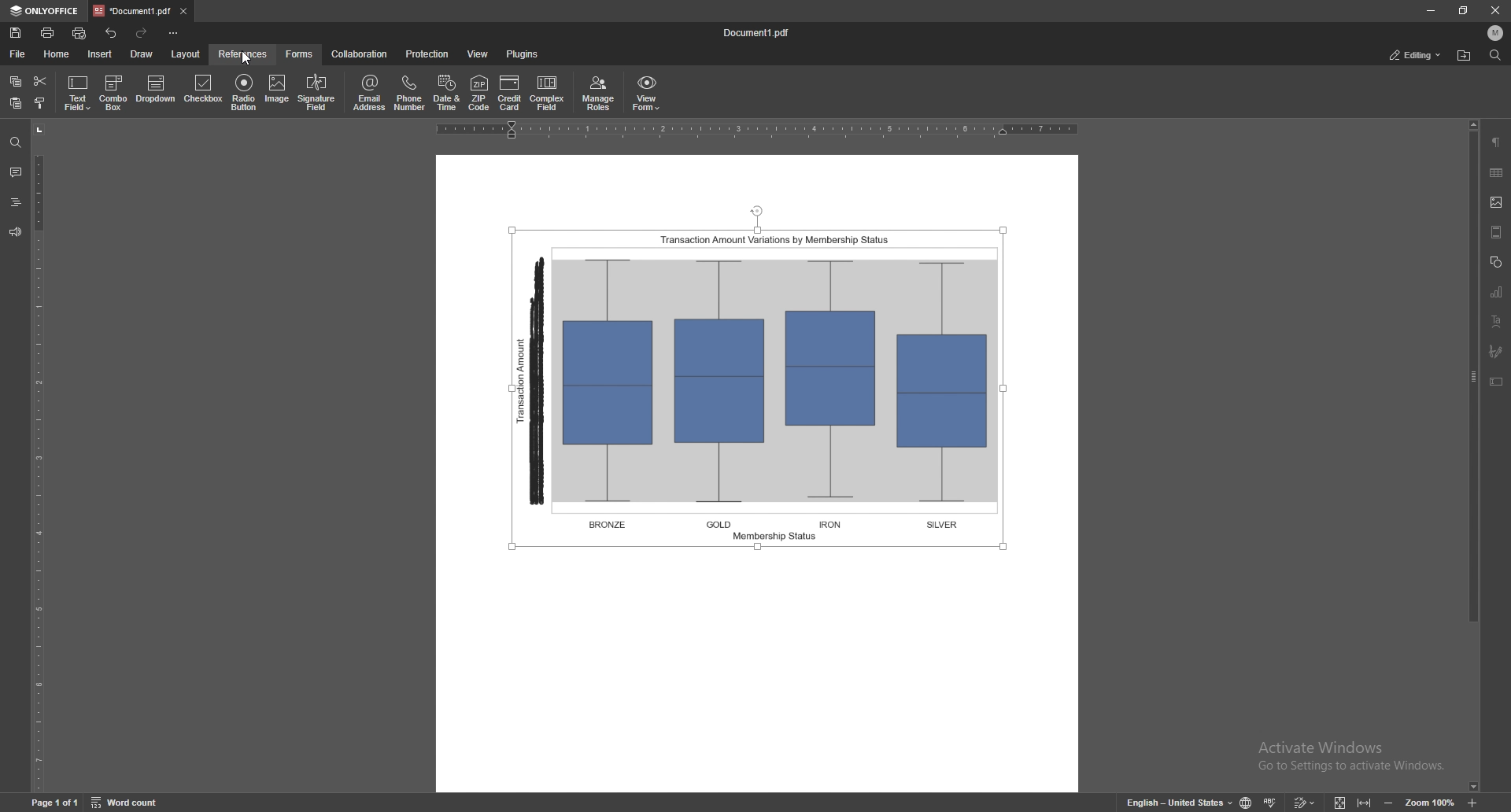 This screenshot has width=1511, height=812. I want to click on text box, so click(1497, 381).